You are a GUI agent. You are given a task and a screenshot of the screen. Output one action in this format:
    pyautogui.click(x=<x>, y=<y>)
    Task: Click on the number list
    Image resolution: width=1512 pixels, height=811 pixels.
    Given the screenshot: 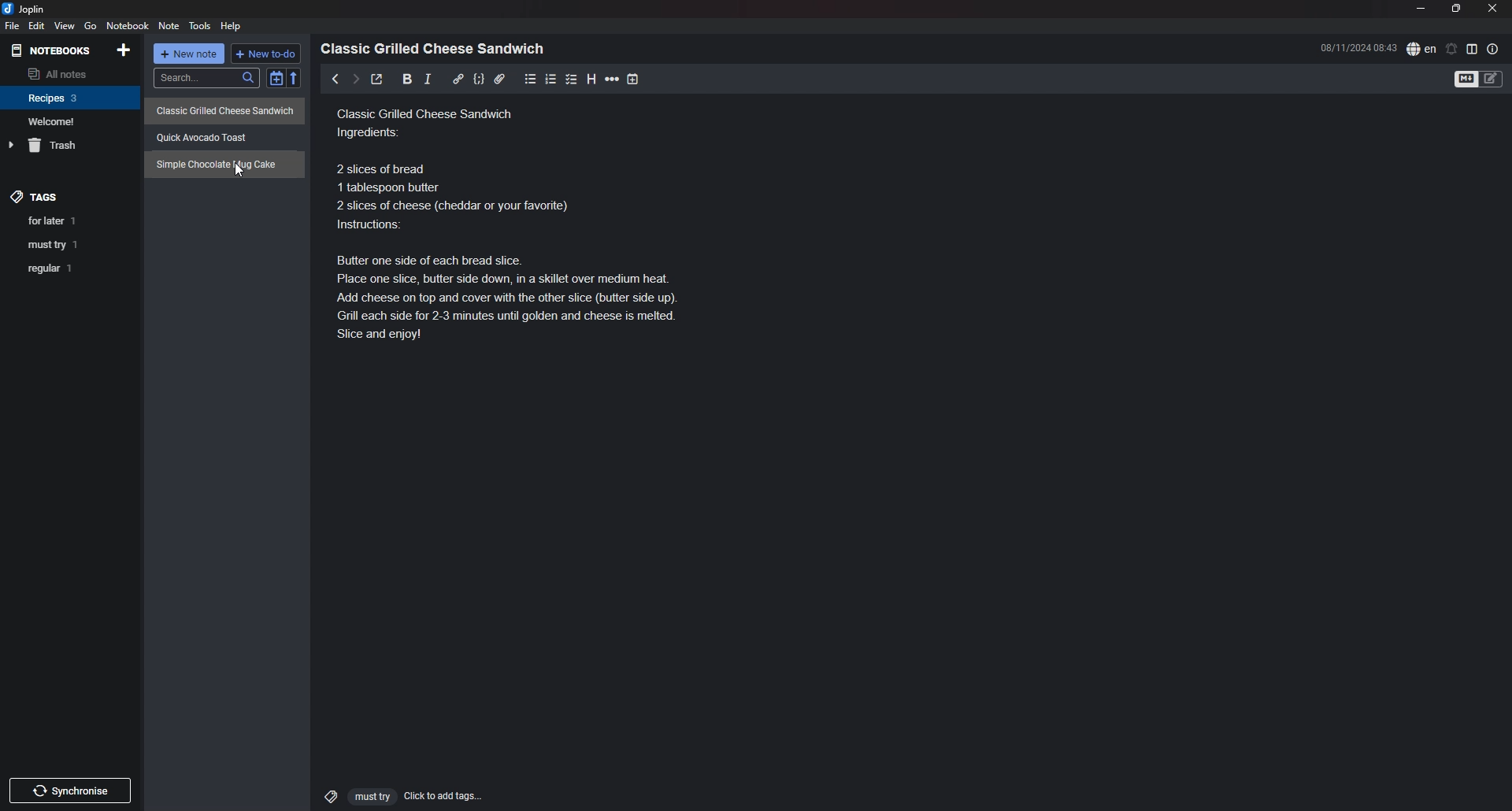 What is the action you would take?
    pyautogui.click(x=551, y=79)
    